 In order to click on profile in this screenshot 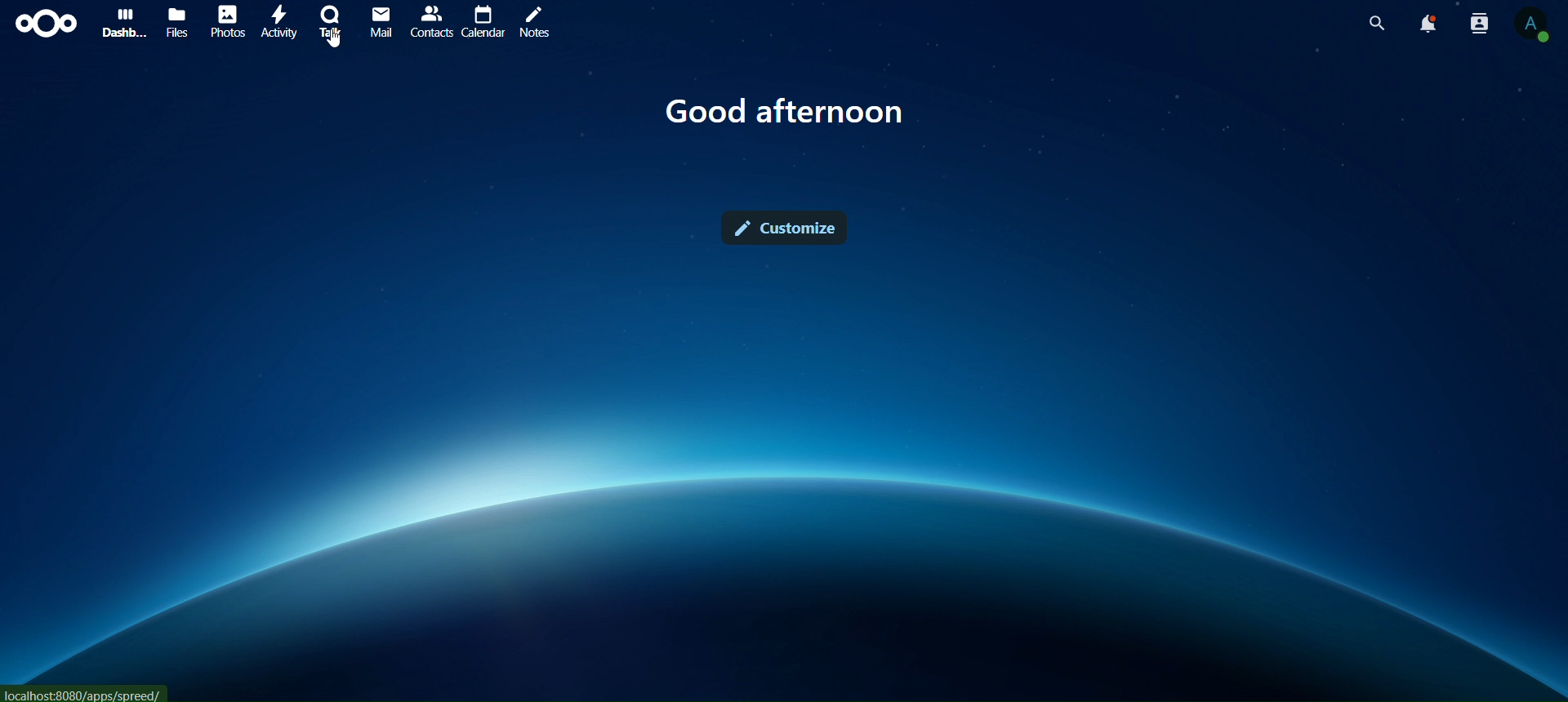, I will do `click(1537, 26)`.